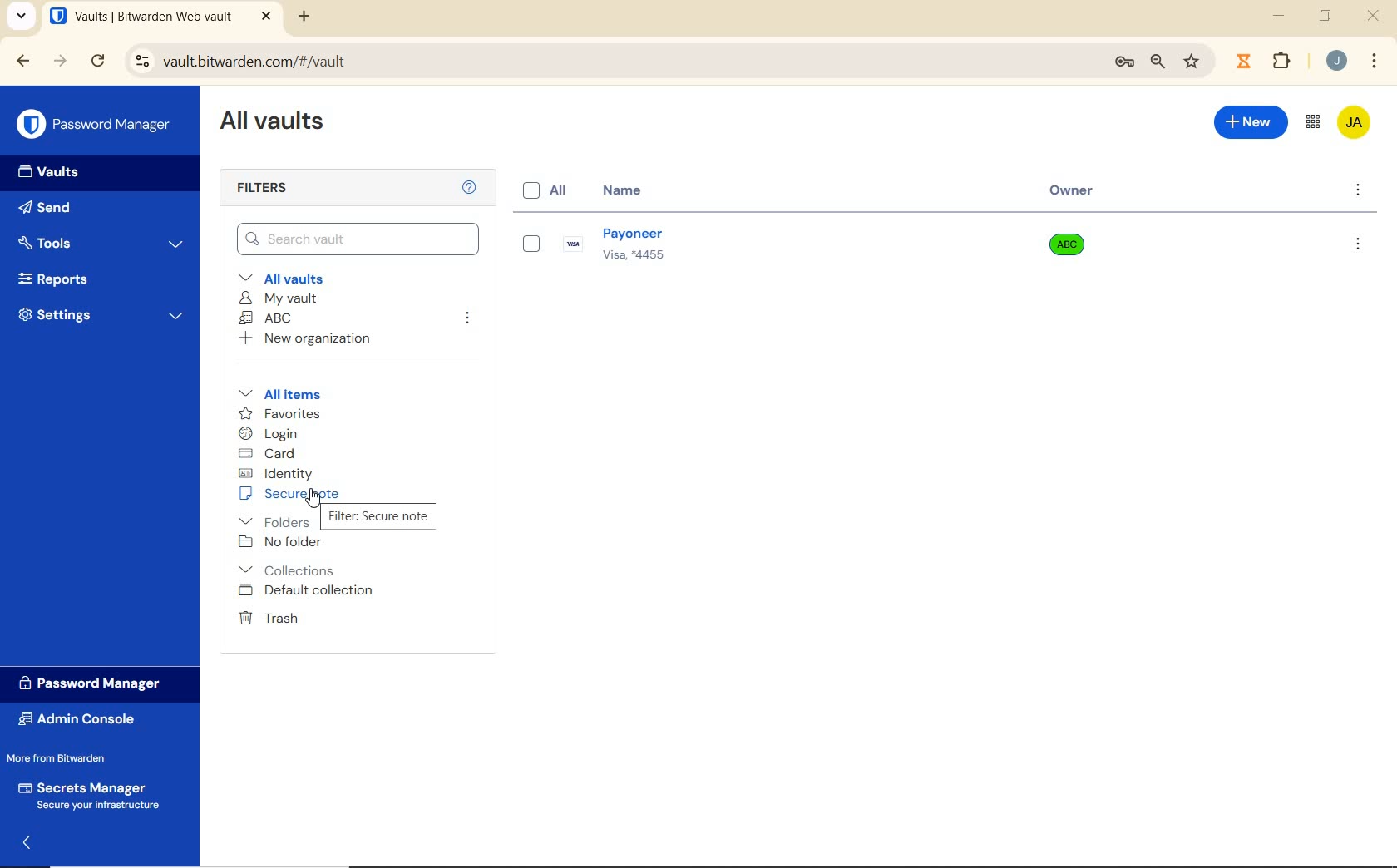 Image resolution: width=1397 pixels, height=868 pixels. What do you see at coordinates (1193, 62) in the screenshot?
I see `bookmark` at bounding box center [1193, 62].